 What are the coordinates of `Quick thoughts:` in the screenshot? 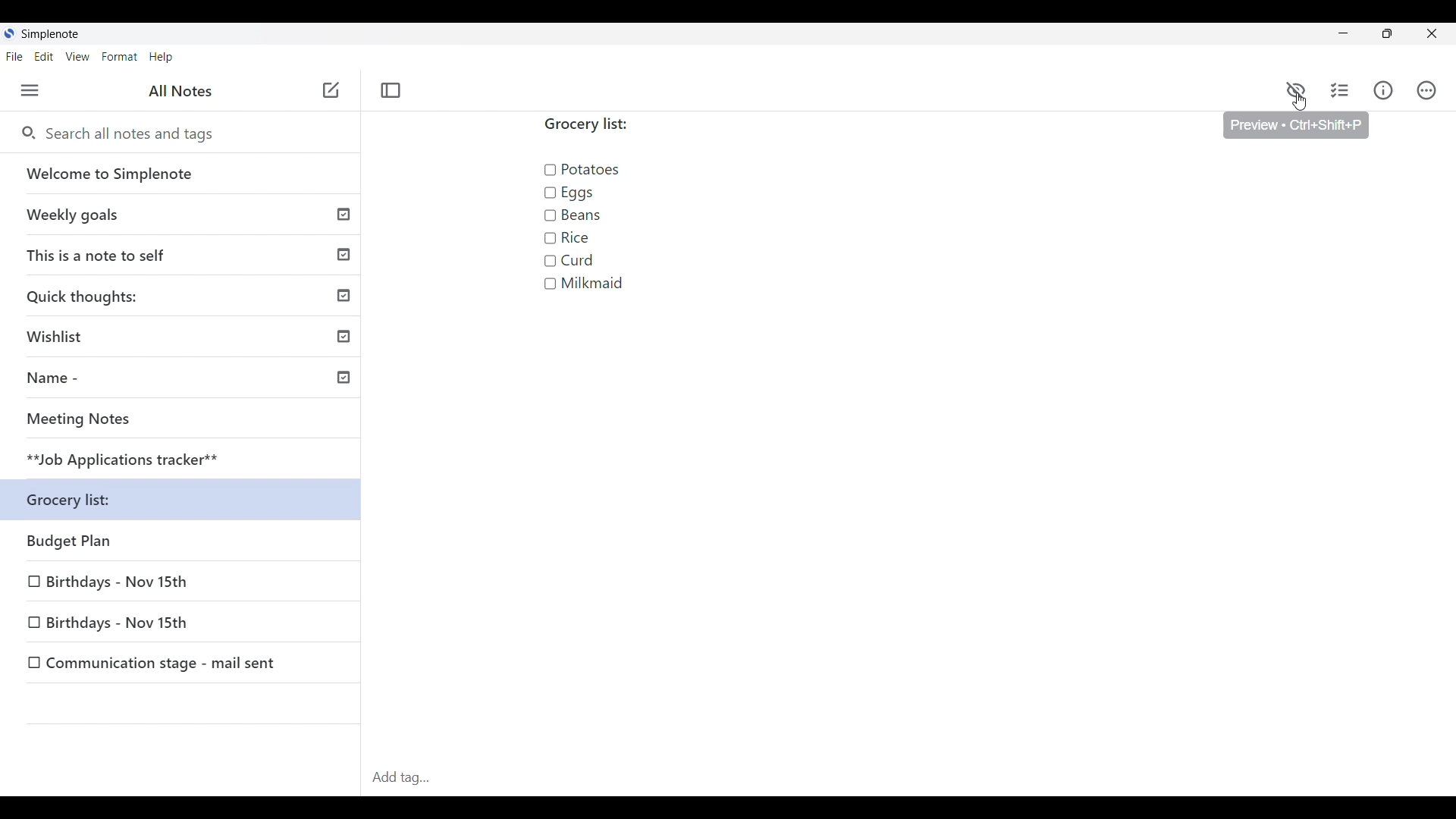 It's located at (187, 298).